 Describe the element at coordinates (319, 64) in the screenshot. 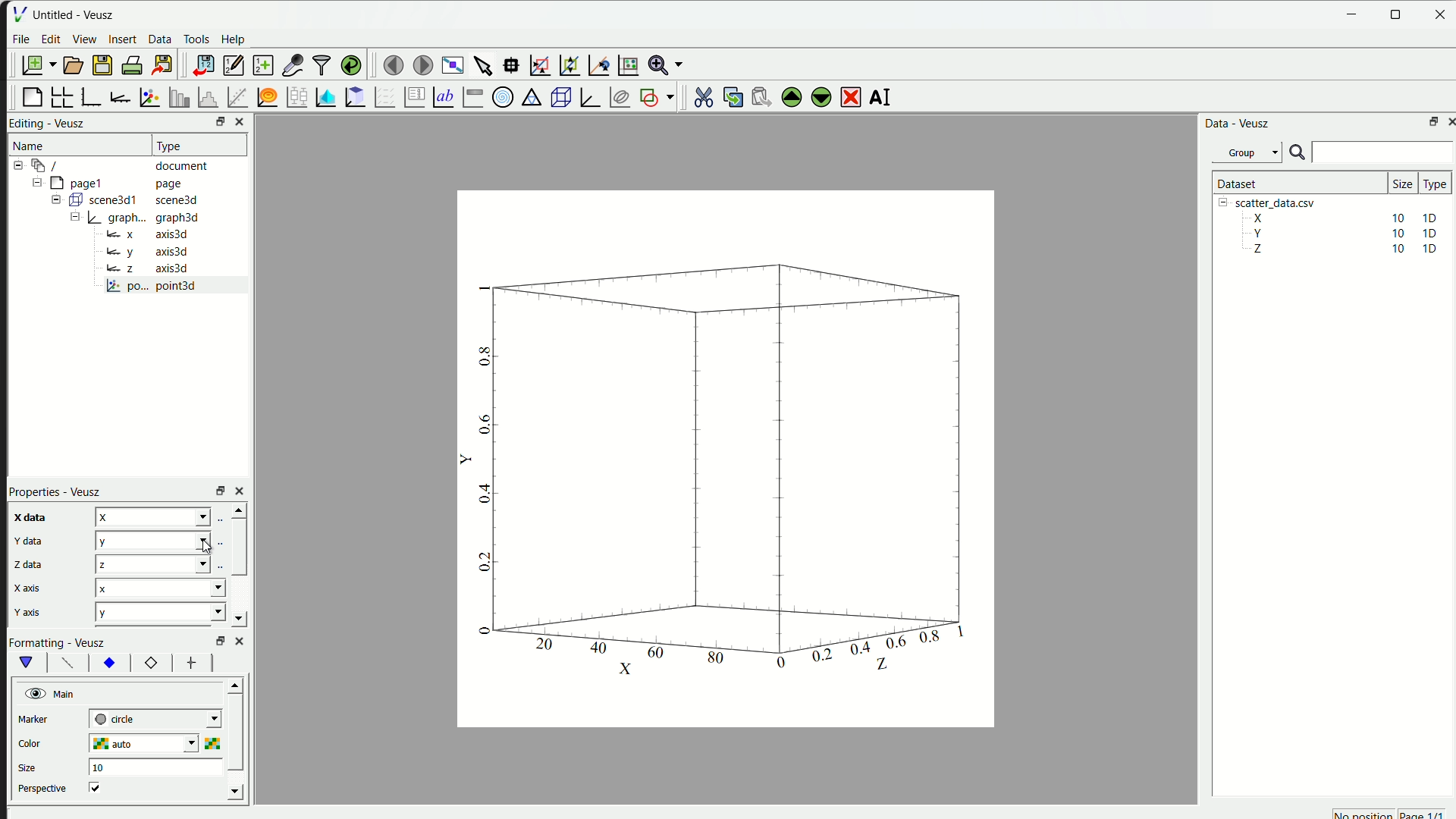

I see `filter data` at that location.